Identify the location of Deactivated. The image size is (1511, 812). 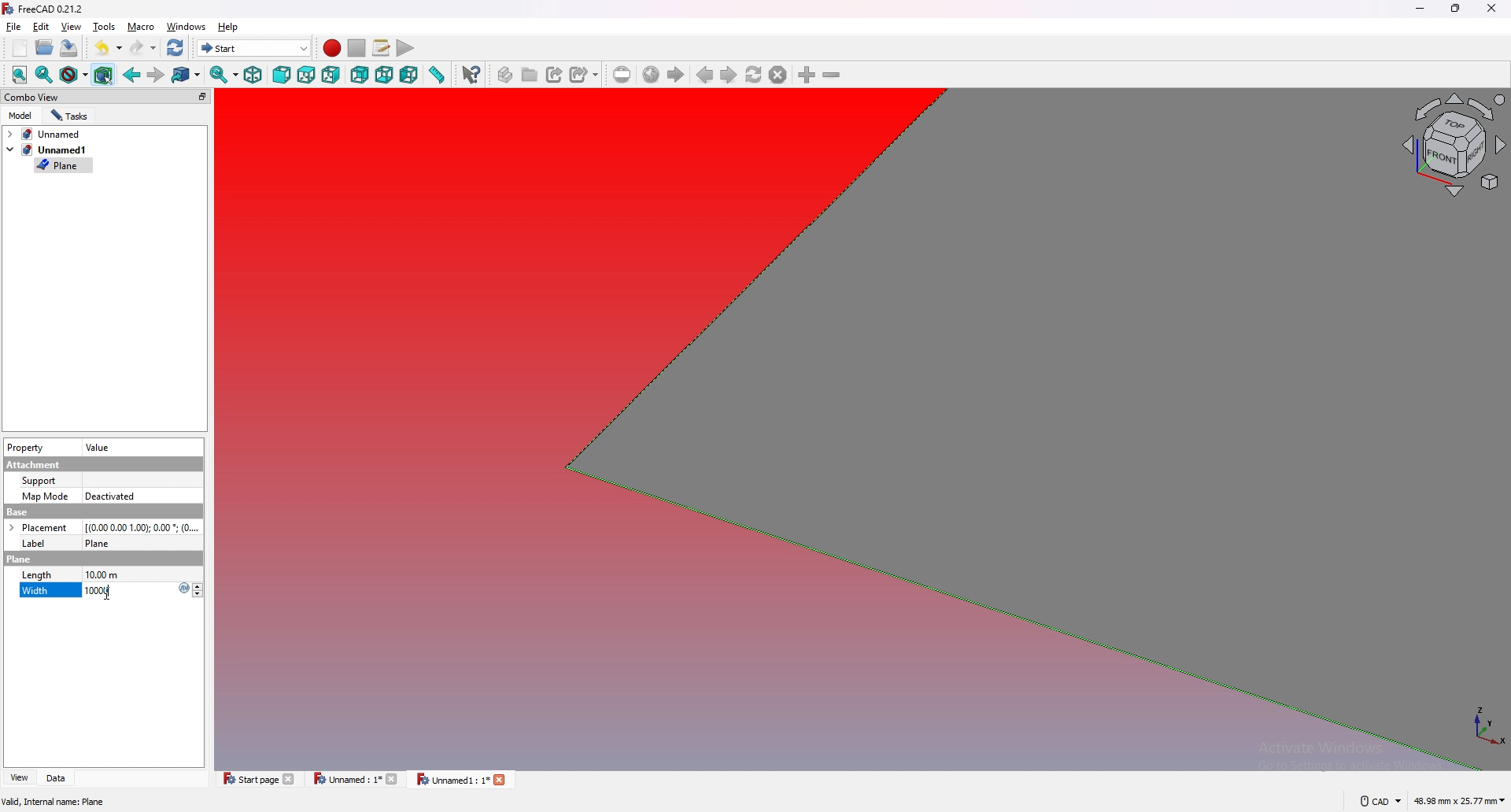
(113, 496).